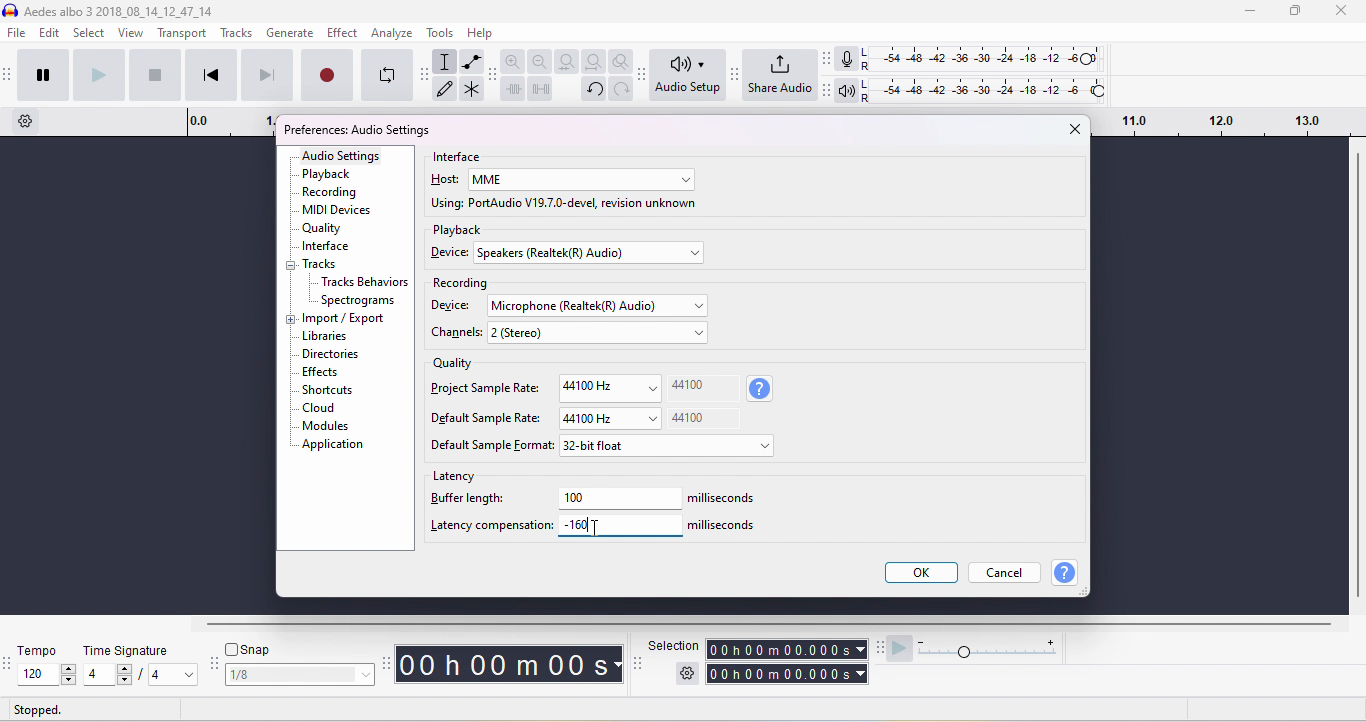  I want to click on timeline, so click(230, 122).